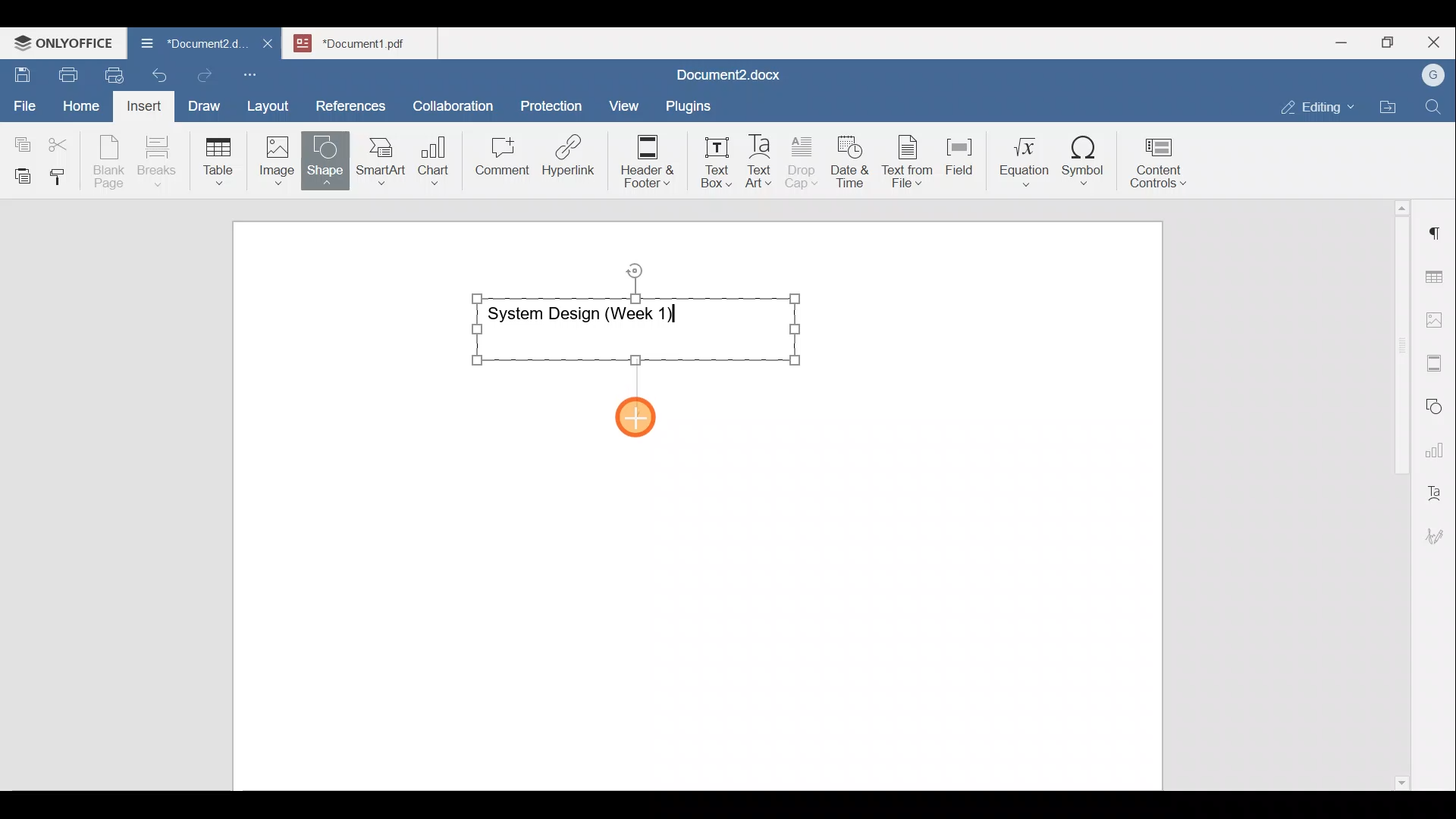  Describe the element at coordinates (327, 153) in the screenshot. I see `Shape` at that location.